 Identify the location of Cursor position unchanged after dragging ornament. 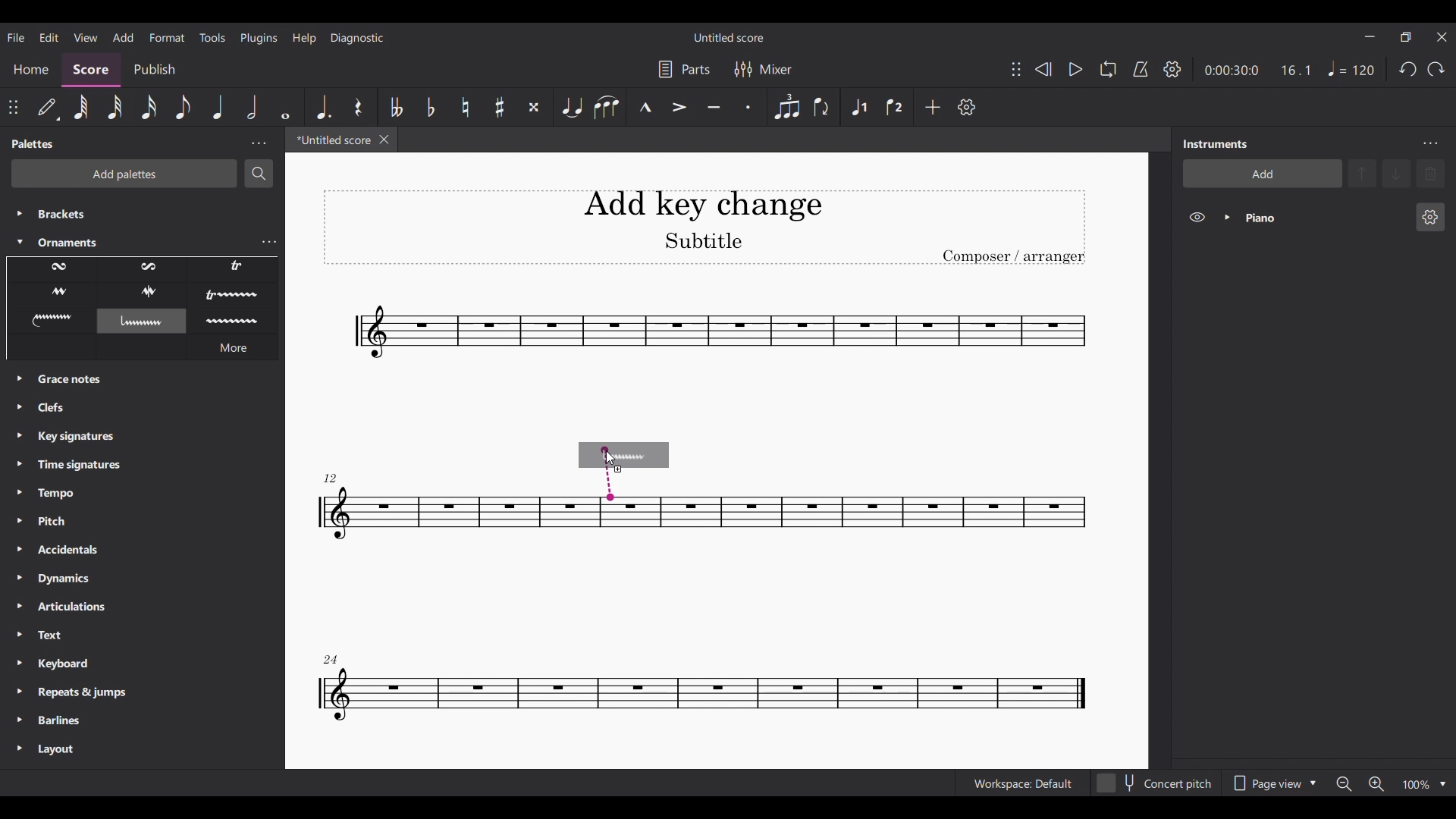
(610, 458).